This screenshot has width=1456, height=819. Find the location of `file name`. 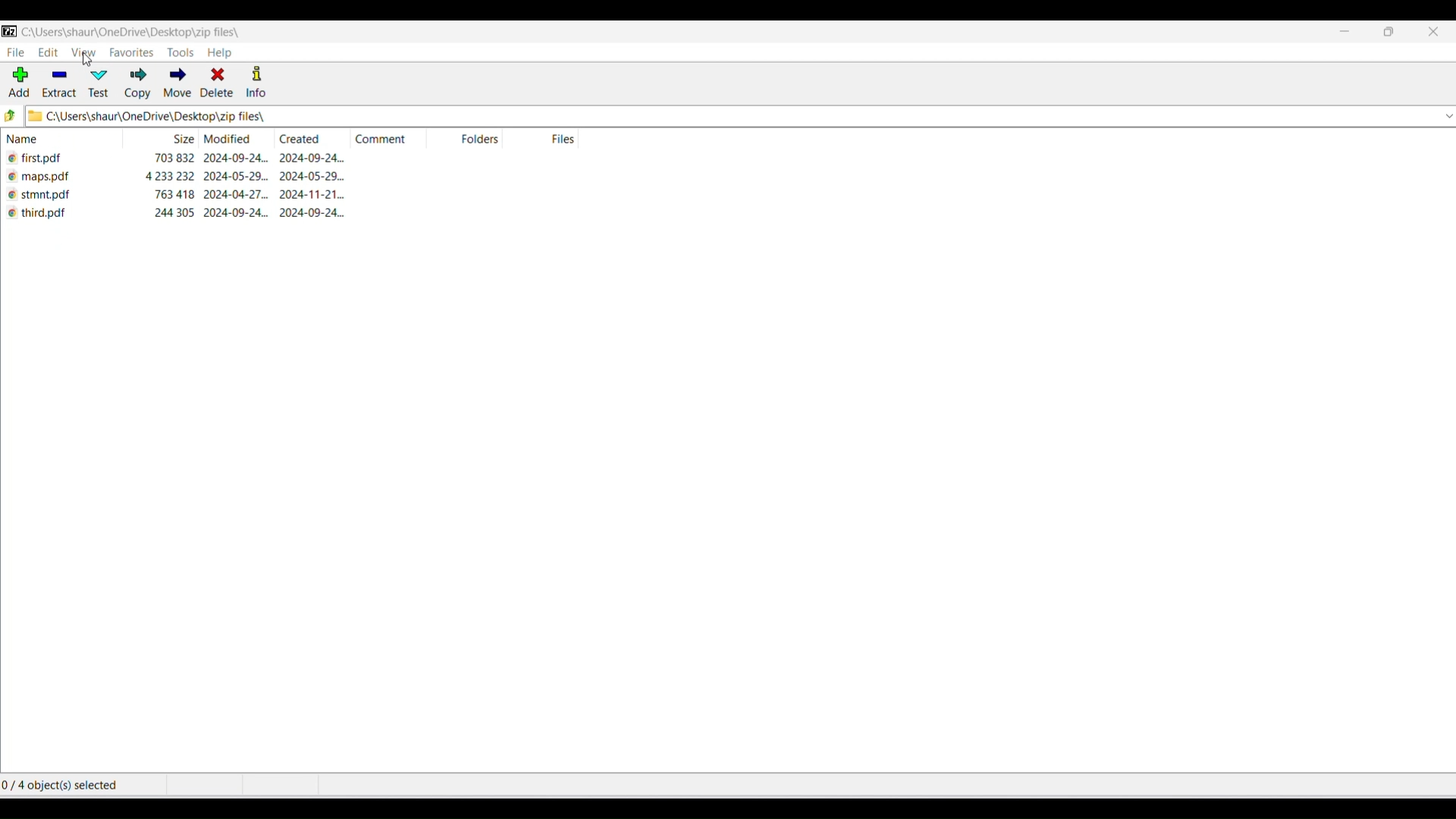

file name is located at coordinates (67, 180).